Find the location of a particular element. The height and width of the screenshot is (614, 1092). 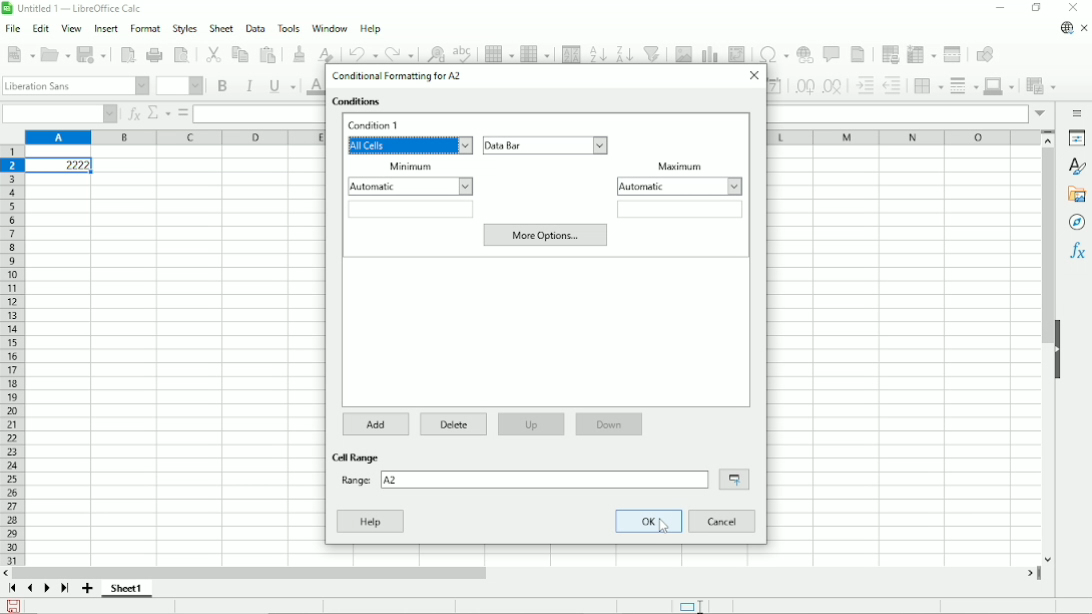

Auto filter is located at coordinates (653, 53).